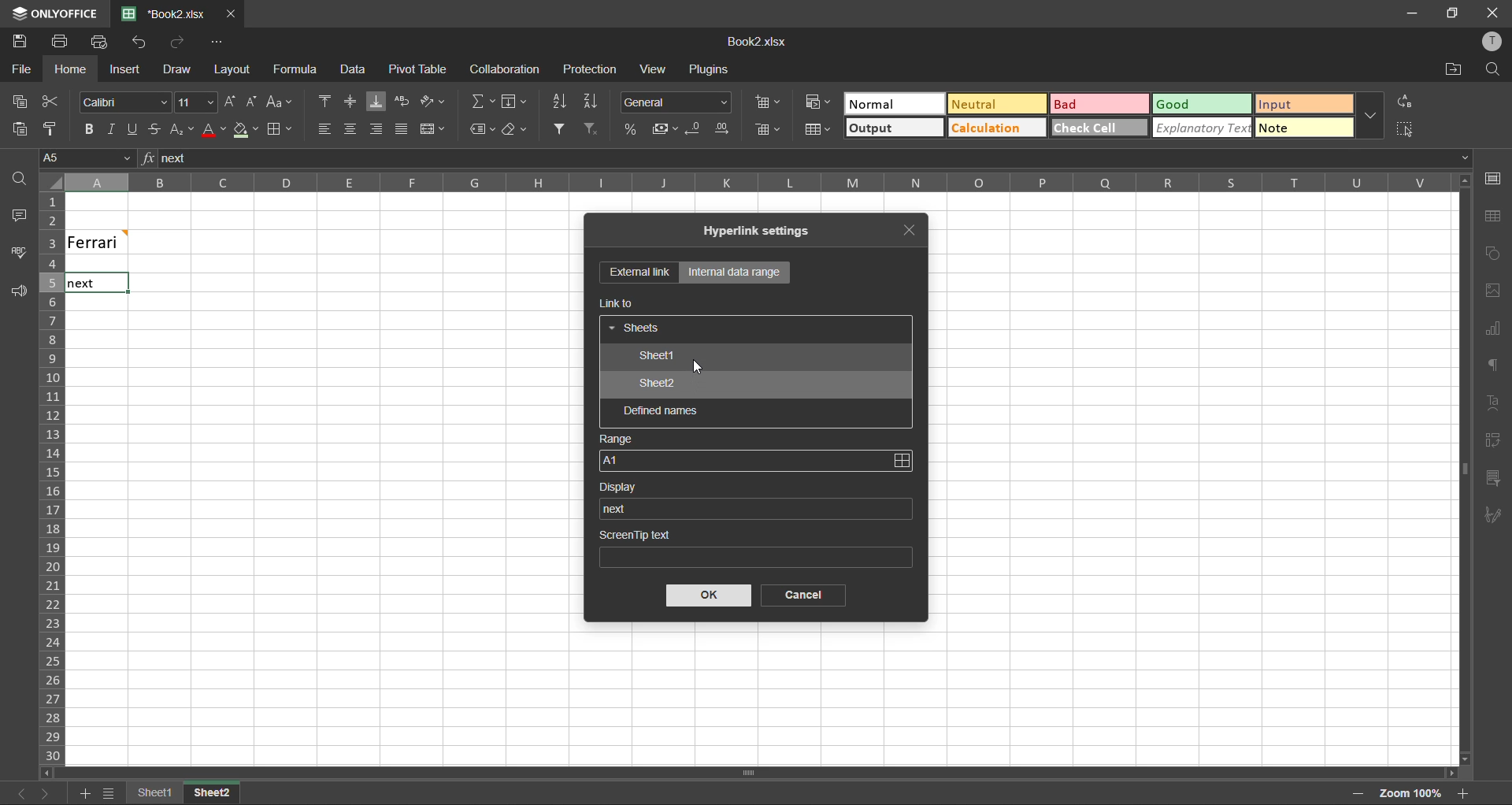 This screenshot has width=1512, height=805. Describe the element at coordinates (11, 792) in the screenshot. I see `previous` at that location.